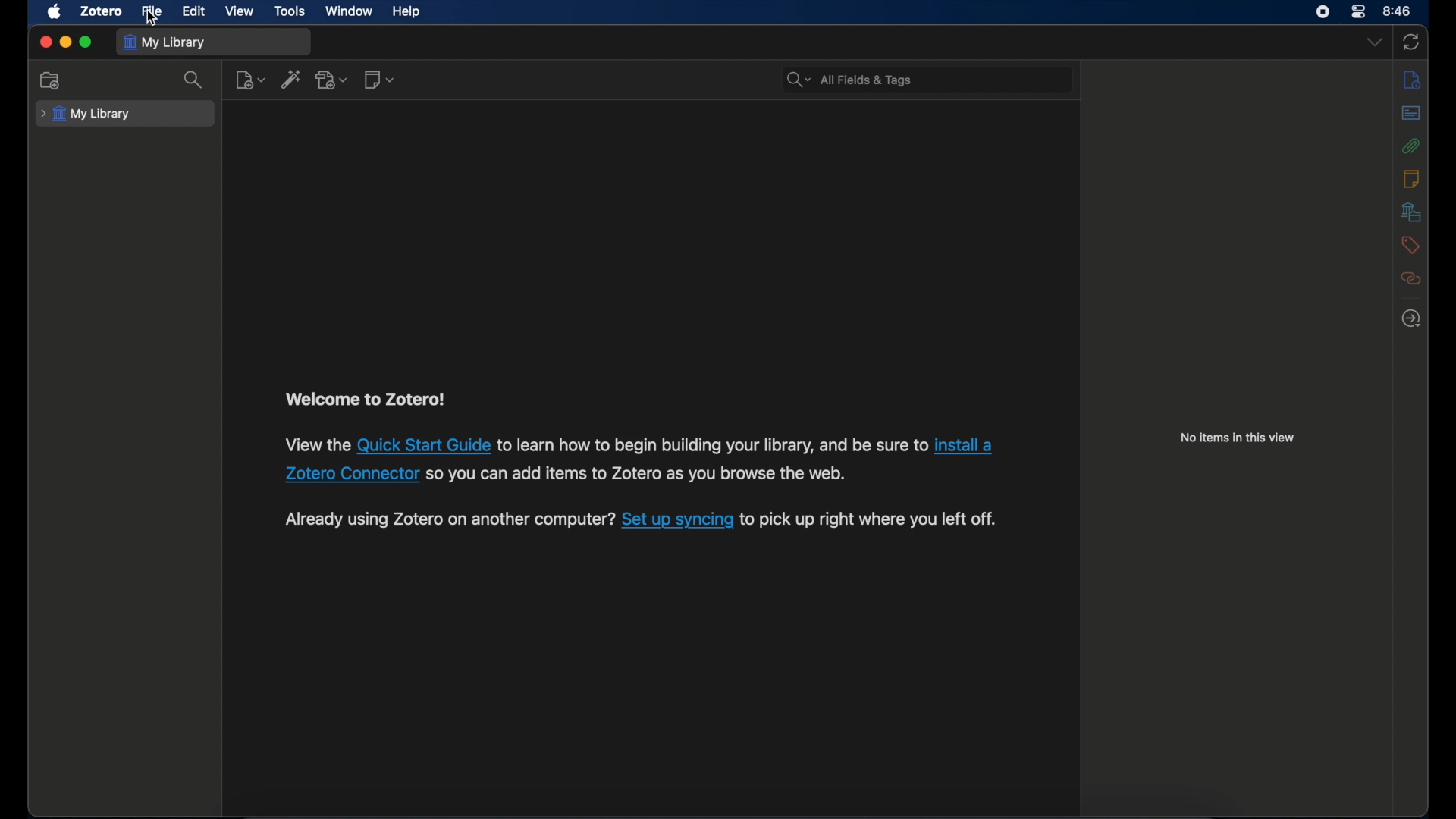 The image size is (1456, 819). Describe the element at coordinates (378, 80) in the screenshot. I see `new note` at that location.